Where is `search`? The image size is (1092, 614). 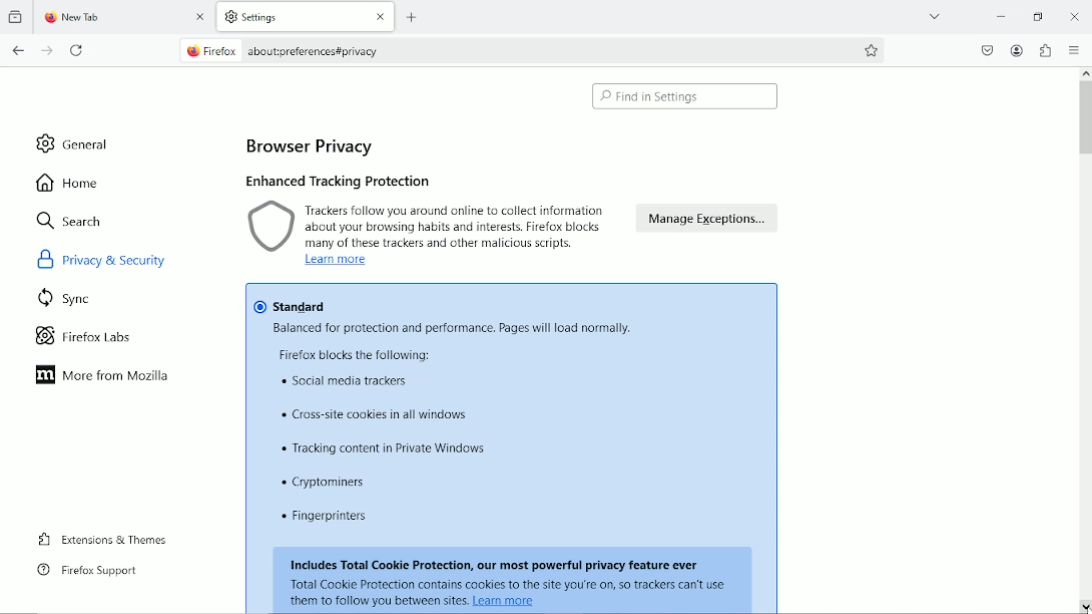 search is located at coordinates (70, 220).